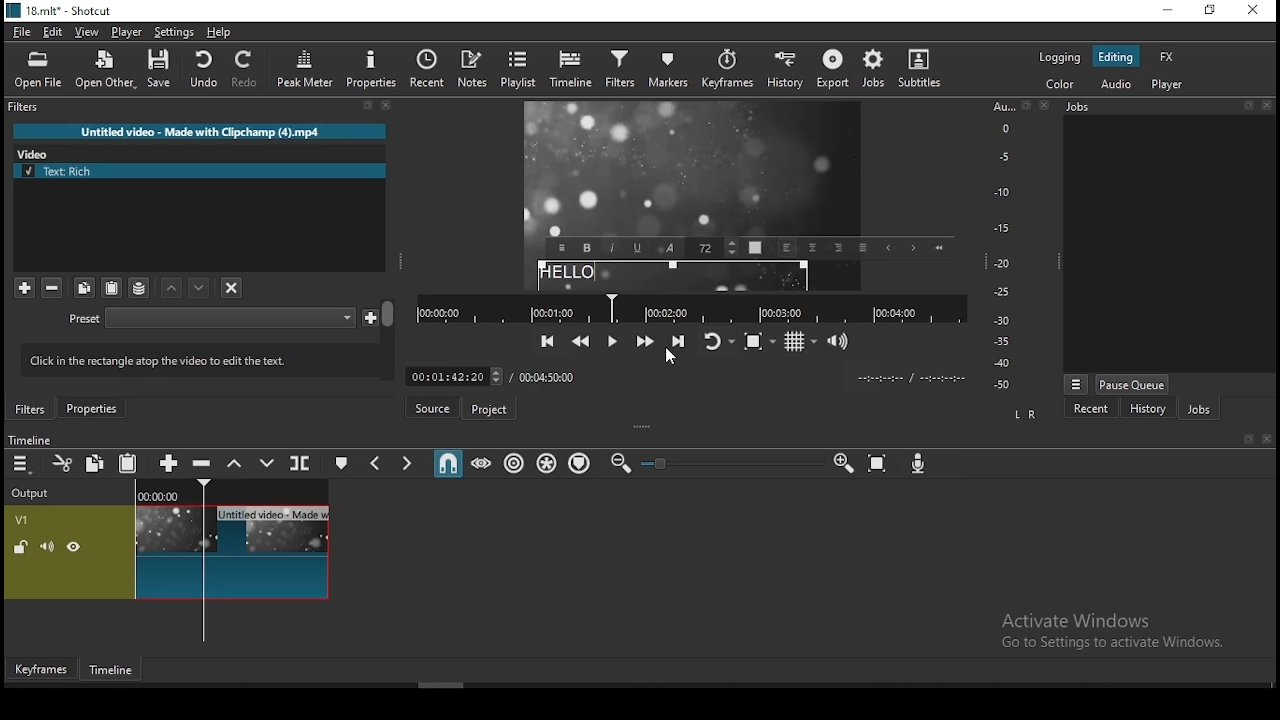  What do you see at coordinates (53, 289) in the screenshot?
I see `remove selected filters` at bounding box center [53, 289].